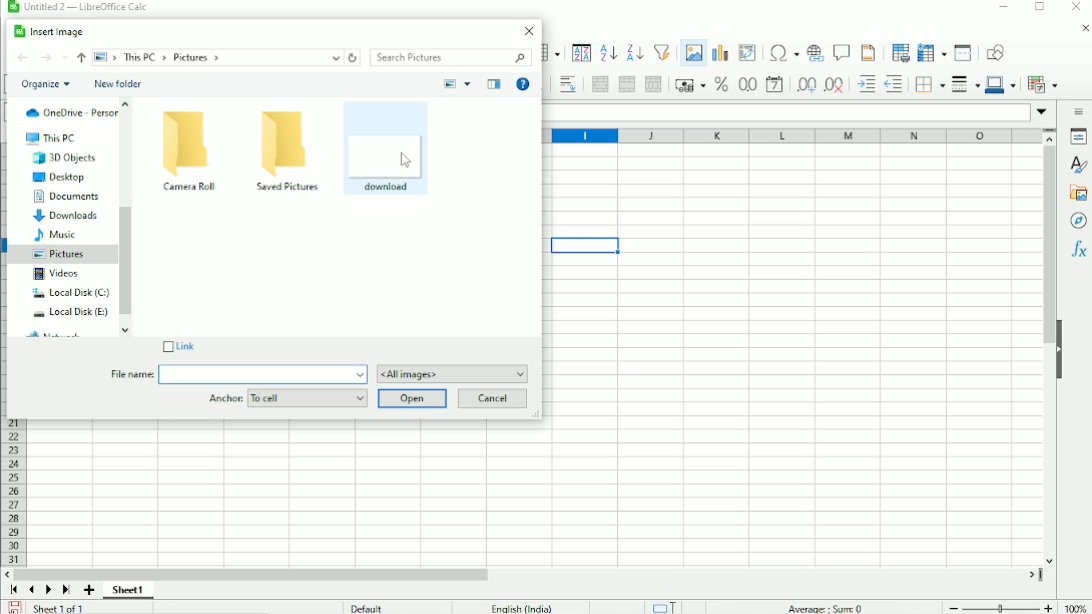 This screenshot has width=1092, height=614. What do you see at coordinates (127, 261) in the screenshot?
I see `Vertical scrollbar` at bounding box center [127, 261].